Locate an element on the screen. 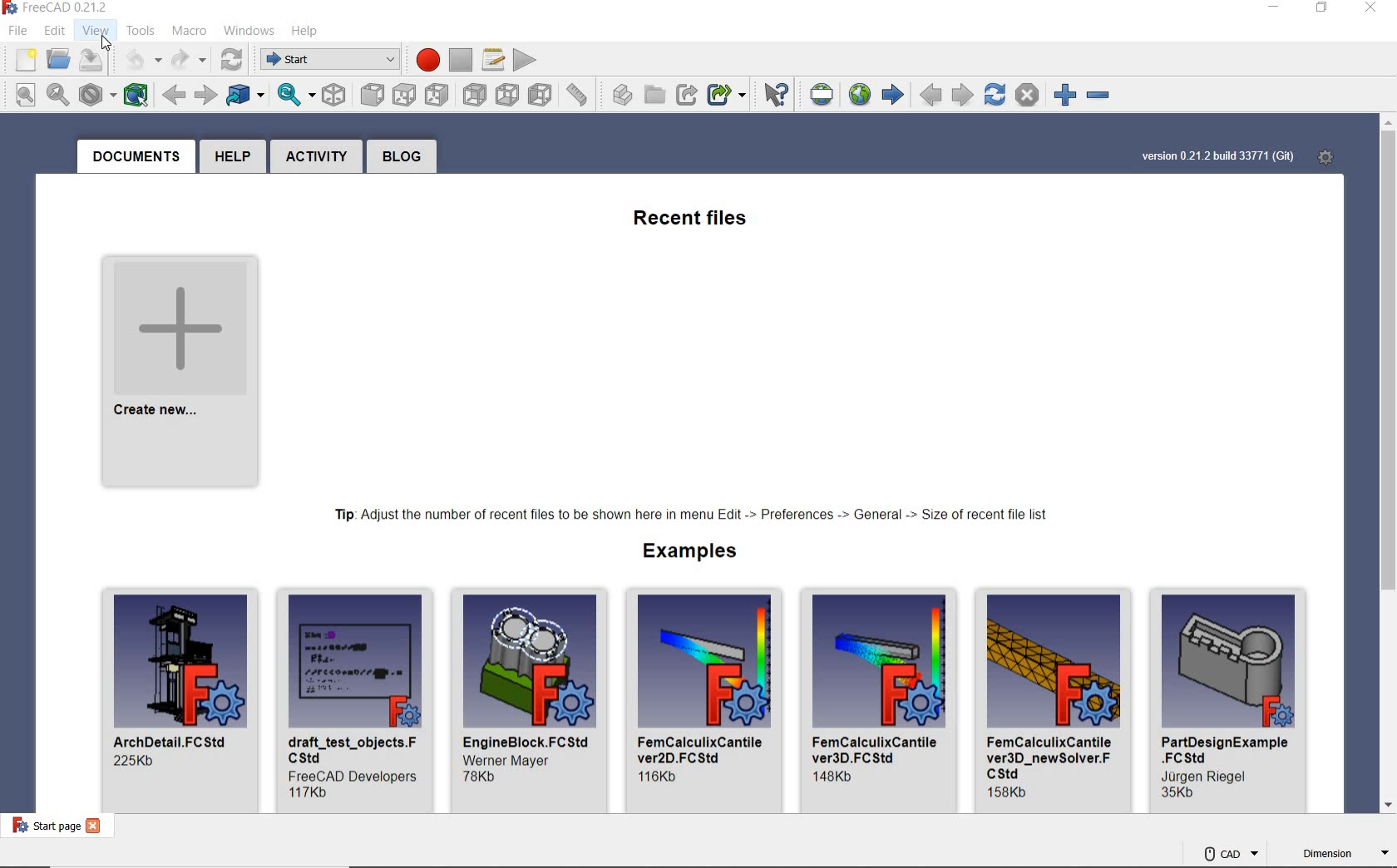 This screenshot has width=1397, height=868. MAKE LINK is located at coordinates (686, 93).